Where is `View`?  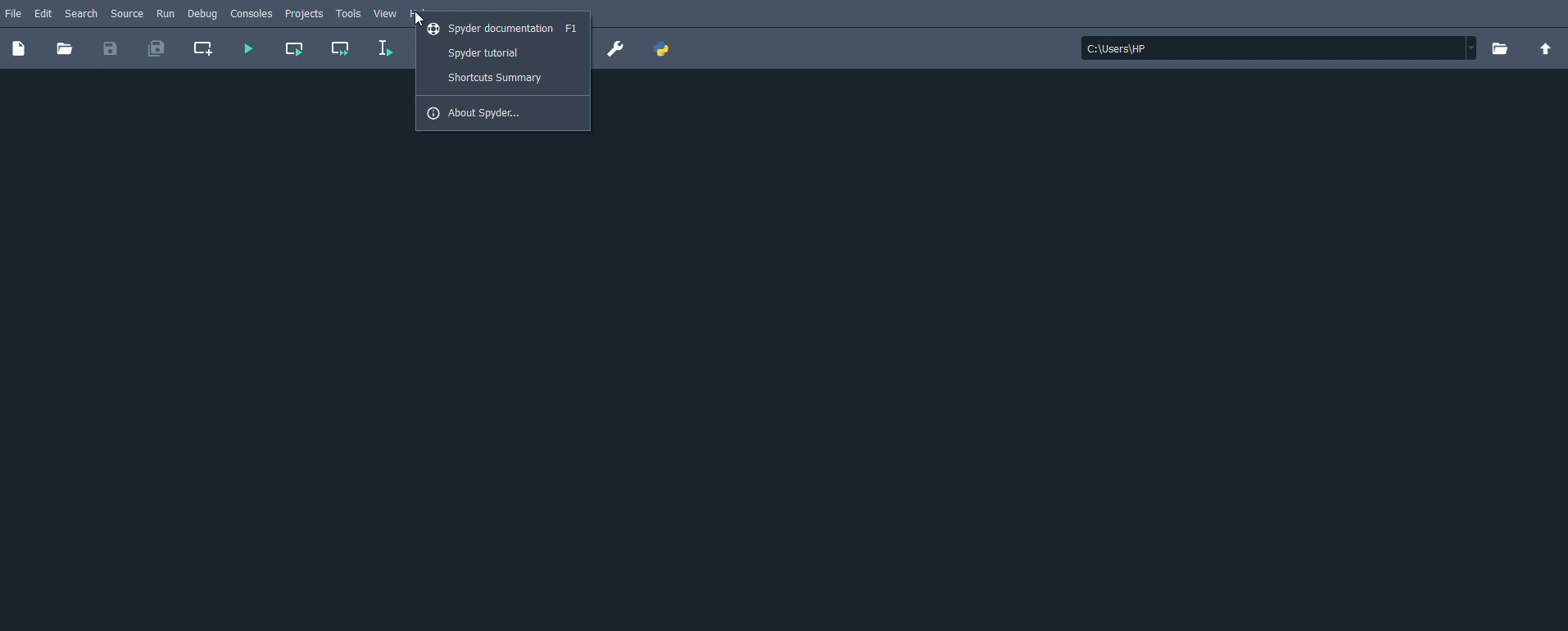 View is located at coordinates (387, 12).